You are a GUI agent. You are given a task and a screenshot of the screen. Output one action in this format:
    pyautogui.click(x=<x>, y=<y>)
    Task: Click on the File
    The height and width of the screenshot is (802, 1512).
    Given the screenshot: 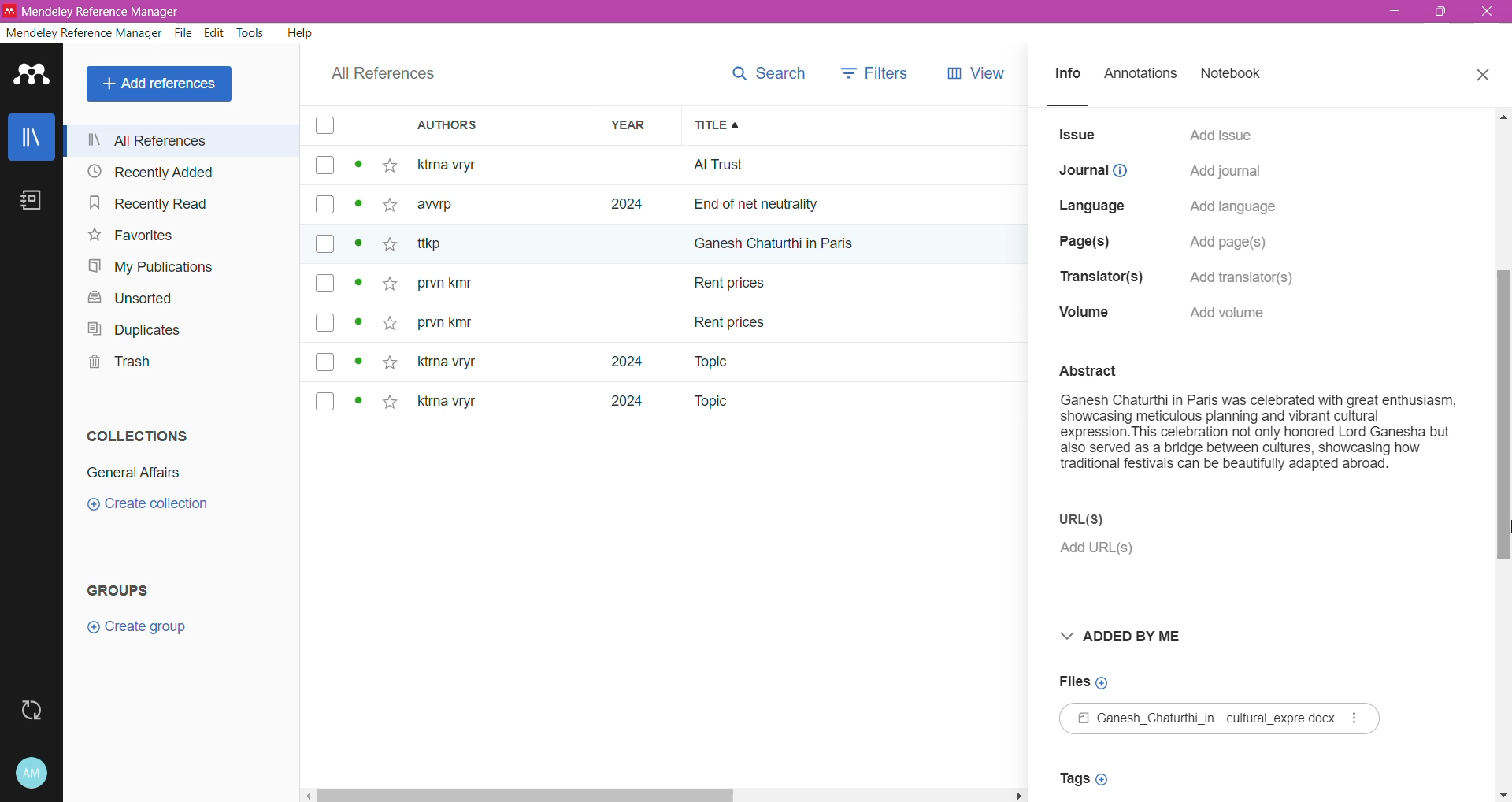 What is the action you would take?
    pyautogui.click(x=1224, y=719)
    